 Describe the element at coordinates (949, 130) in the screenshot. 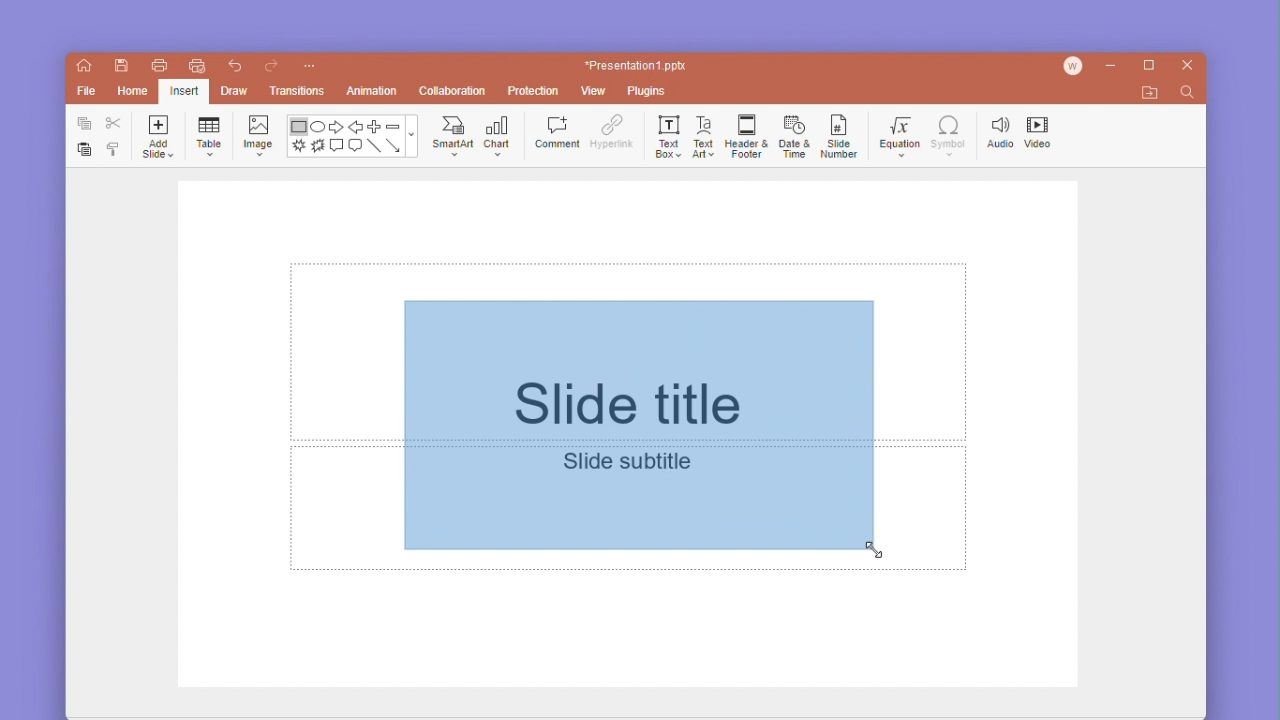

I see `symbol` at that location.